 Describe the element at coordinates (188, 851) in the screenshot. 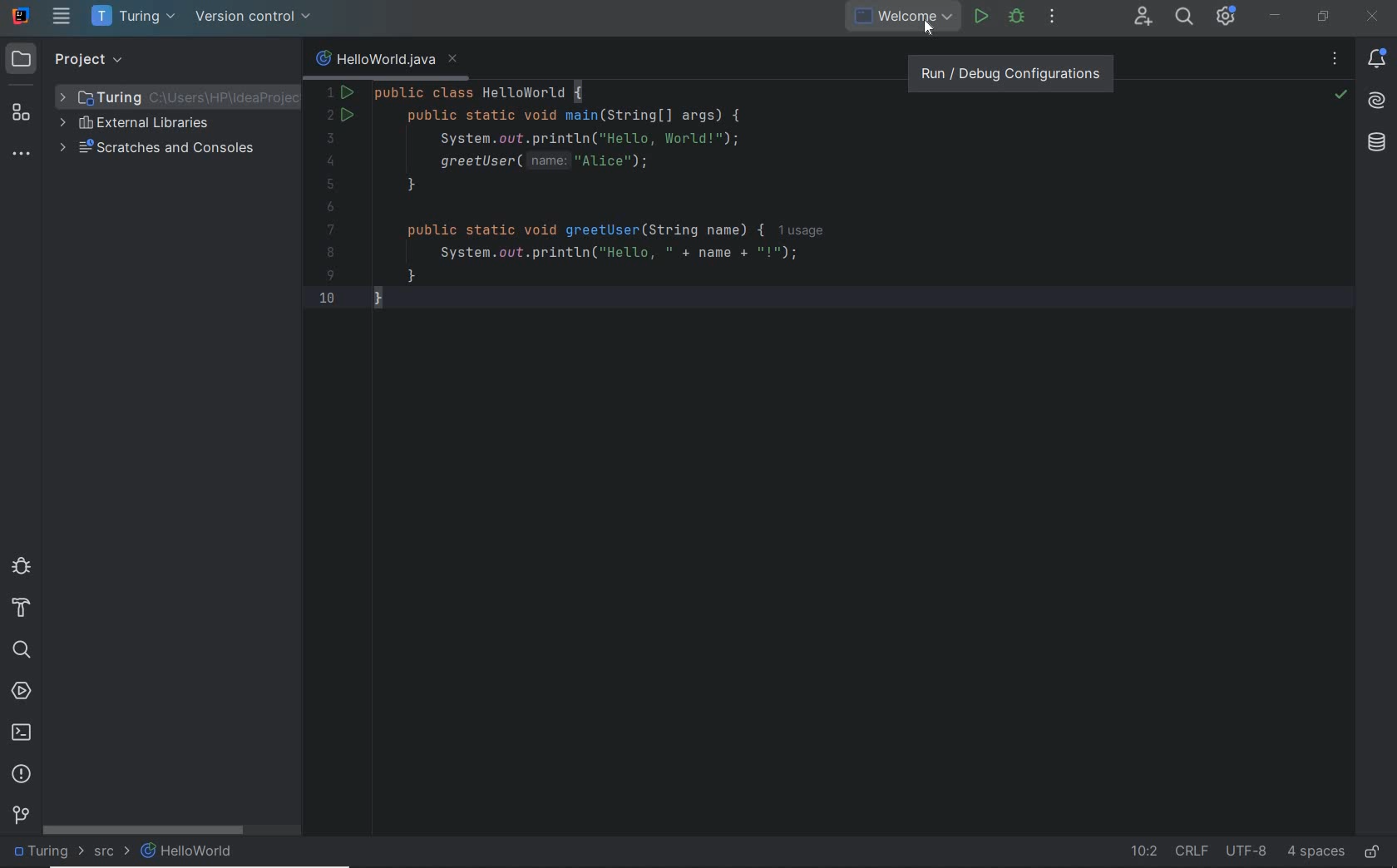

I see `HelloWorld` at that location.